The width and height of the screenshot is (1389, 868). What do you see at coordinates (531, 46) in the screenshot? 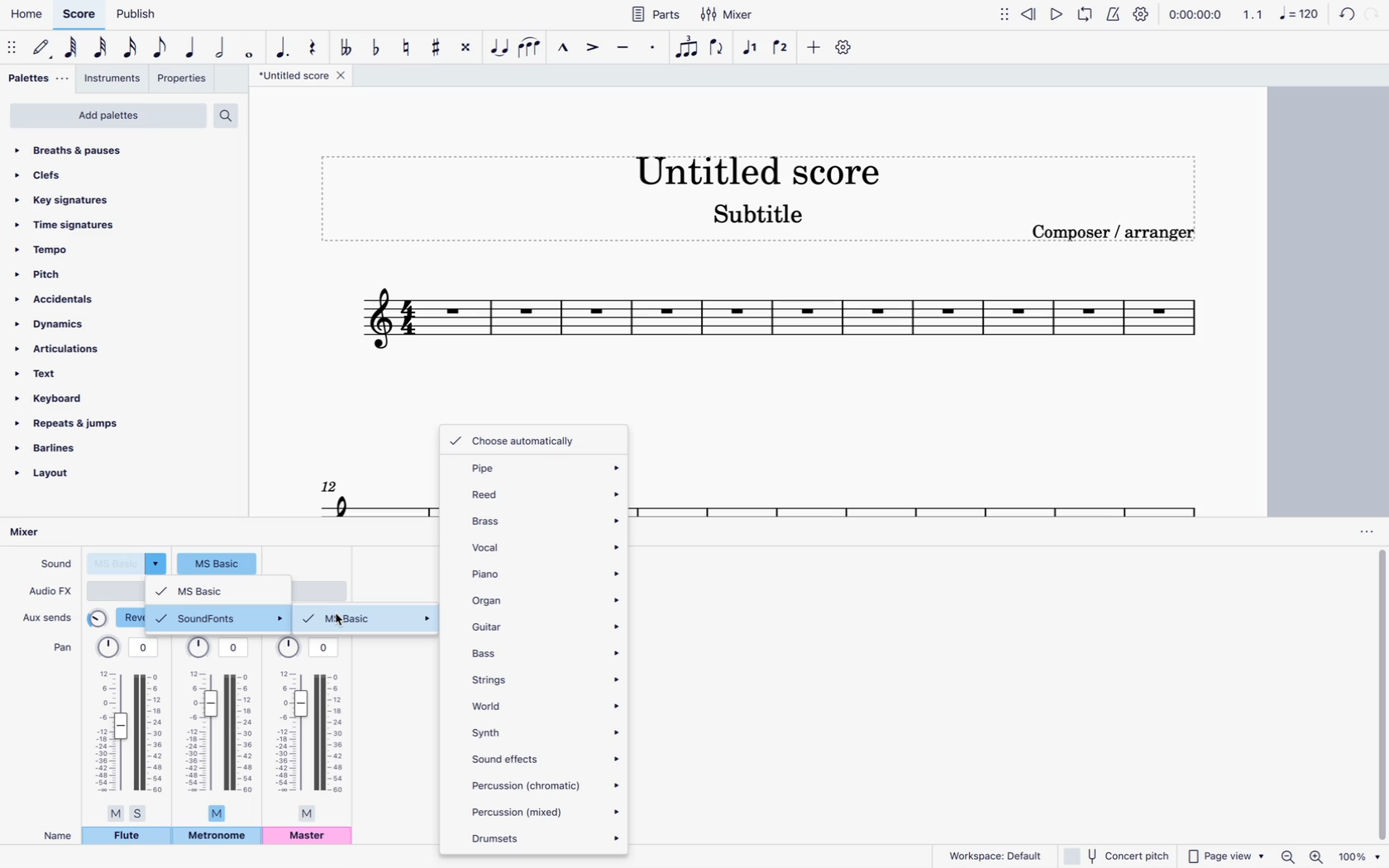
I see `slur` at bounding box center [531, 46].